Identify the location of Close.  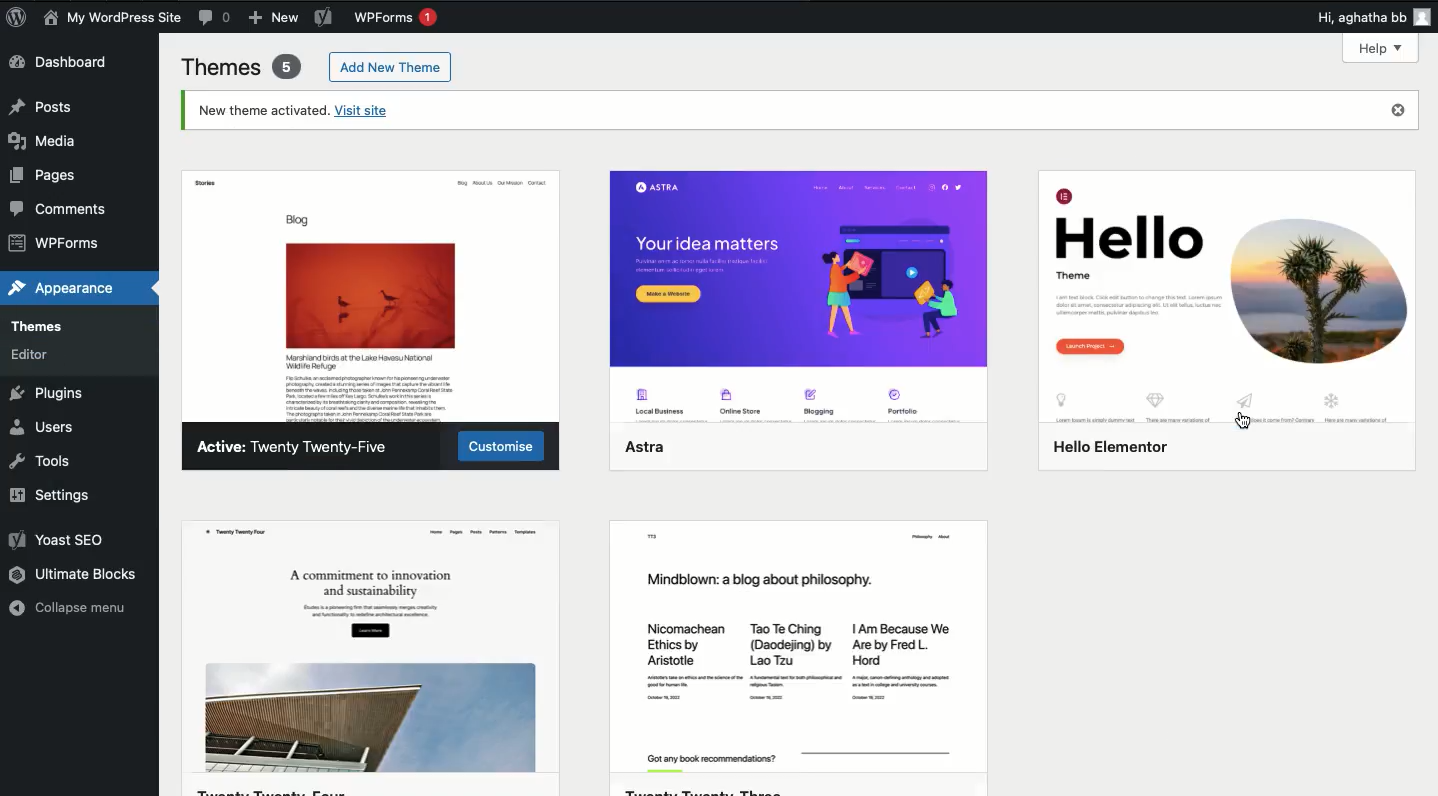
(1399, 112).